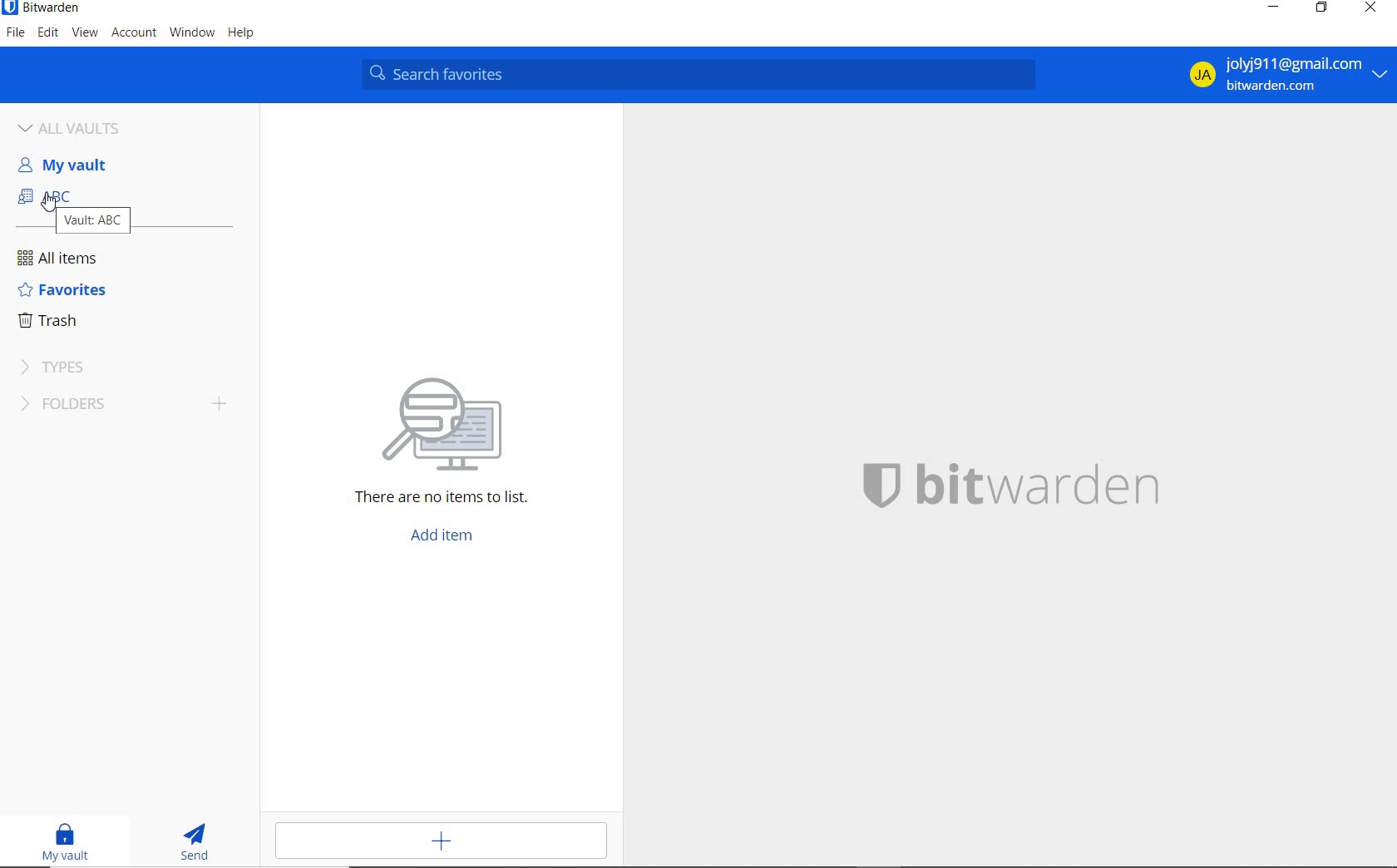 This screenshot has height=868, width=1397. What do you see at coordinates (94, 221) in the screenshot?
I see `vault: ABC` at bounding box center [94, 221].